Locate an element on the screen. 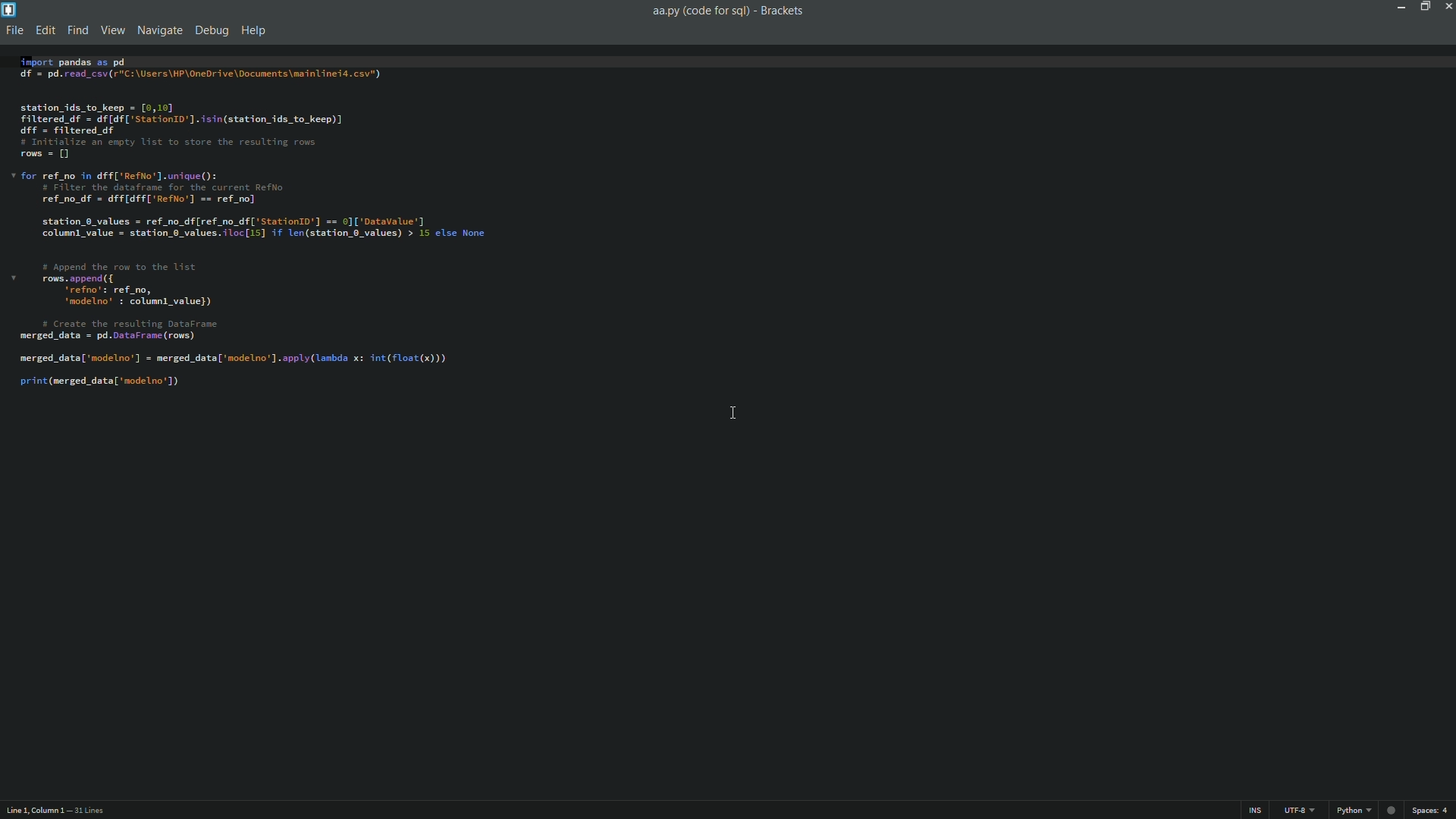 The height and width of the screenshot is (819, 1456). find menu is located at coordinates (76, 32).